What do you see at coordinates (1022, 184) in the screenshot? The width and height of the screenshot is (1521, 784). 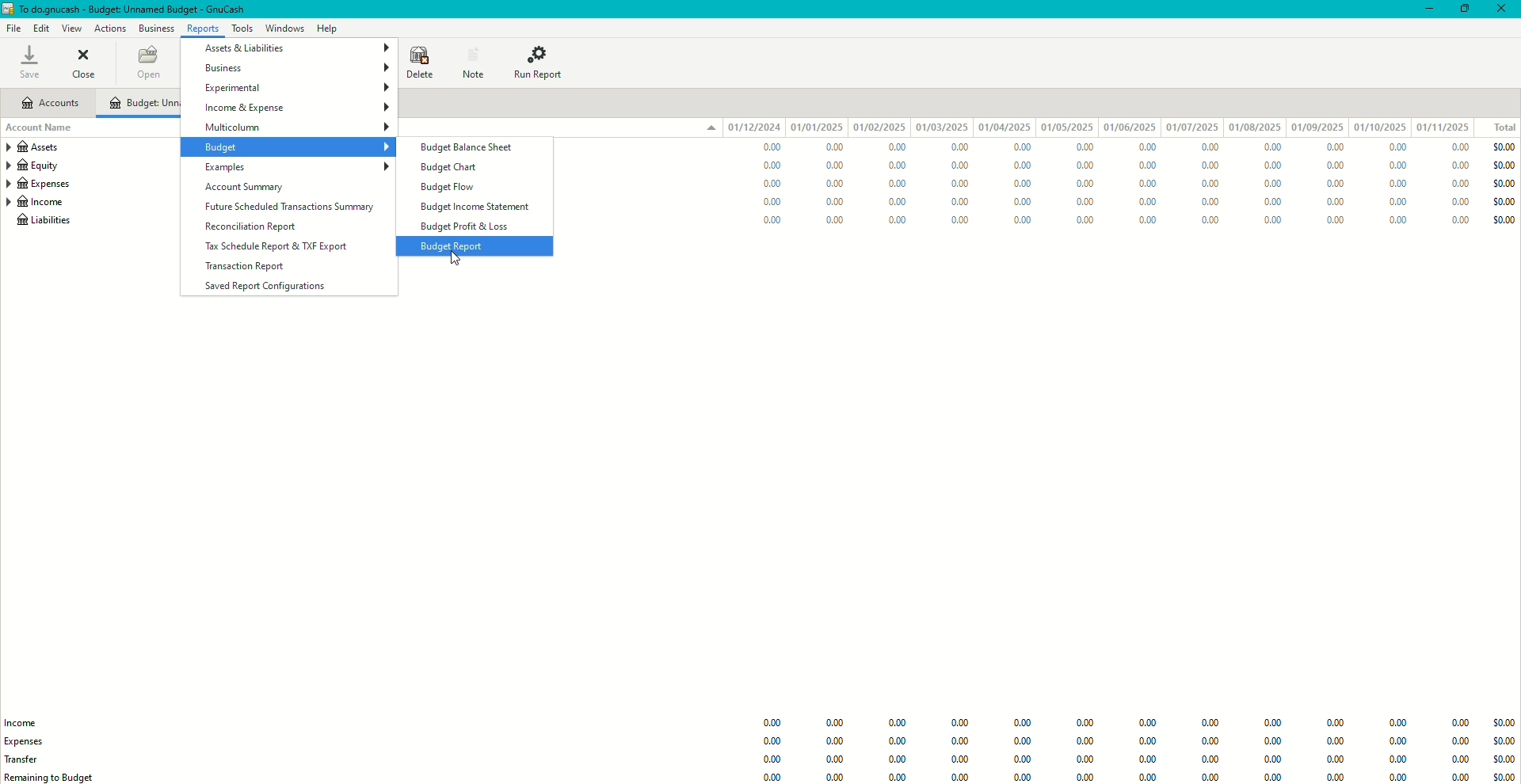 I see `0.00` at bounding box center [1022, 184].